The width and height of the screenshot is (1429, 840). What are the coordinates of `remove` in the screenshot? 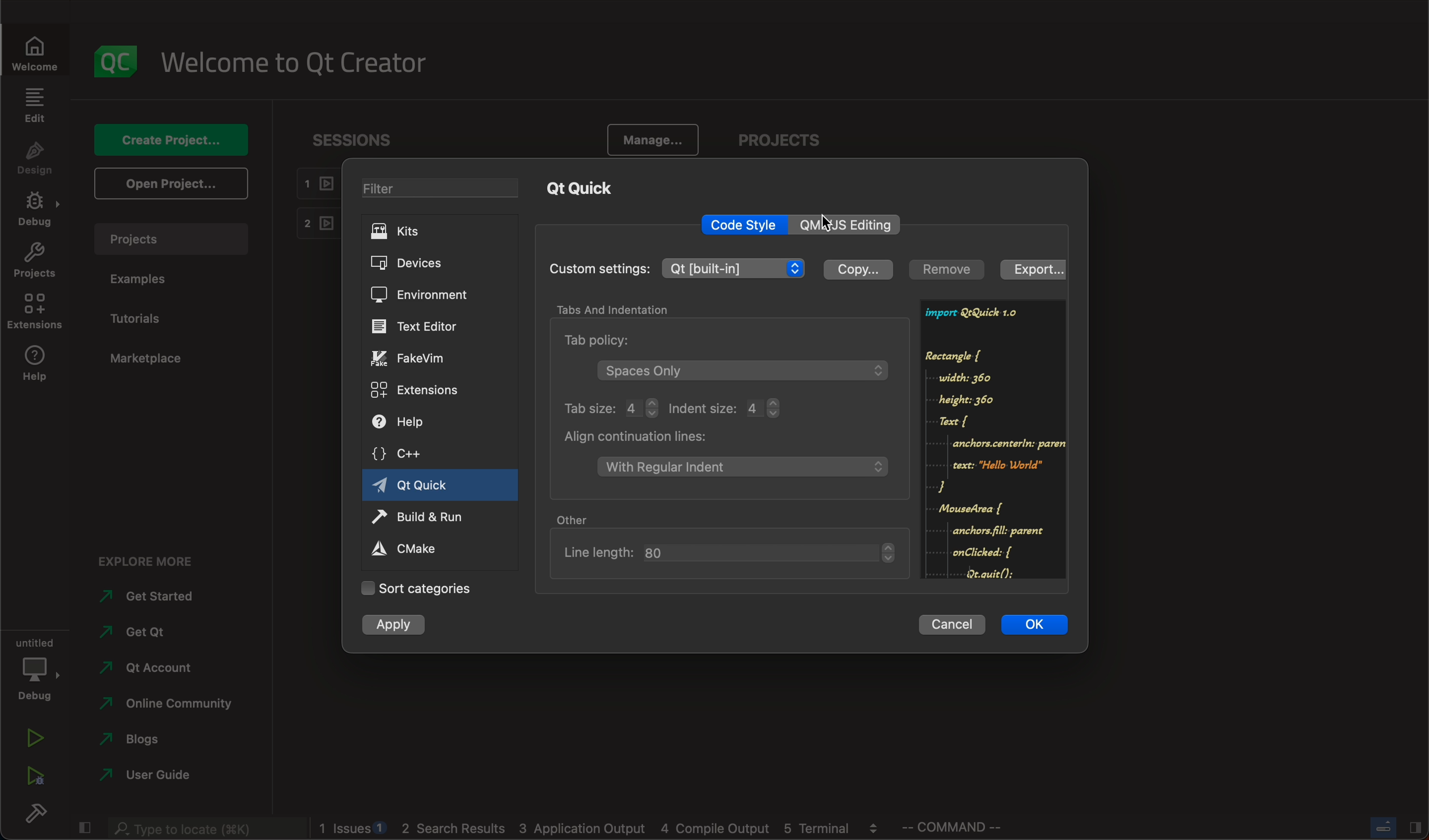 It's located at (949, 270).